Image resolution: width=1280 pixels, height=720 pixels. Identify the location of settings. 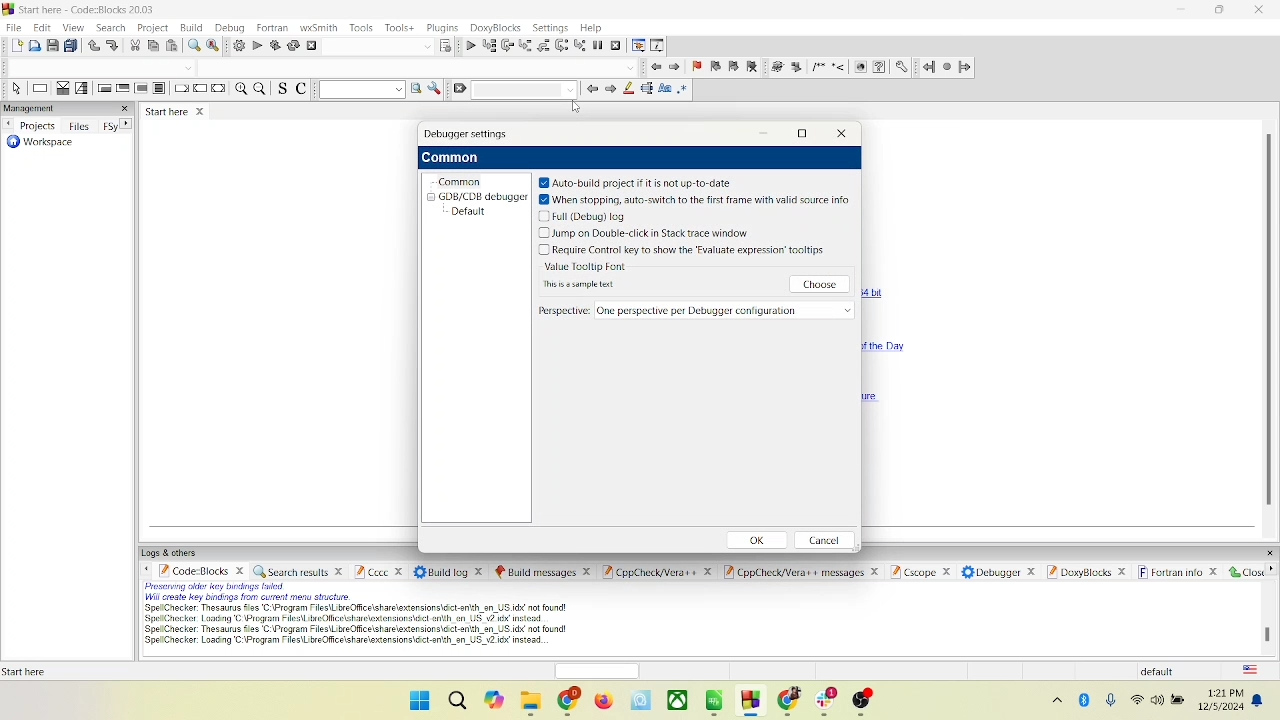
(899, 65).